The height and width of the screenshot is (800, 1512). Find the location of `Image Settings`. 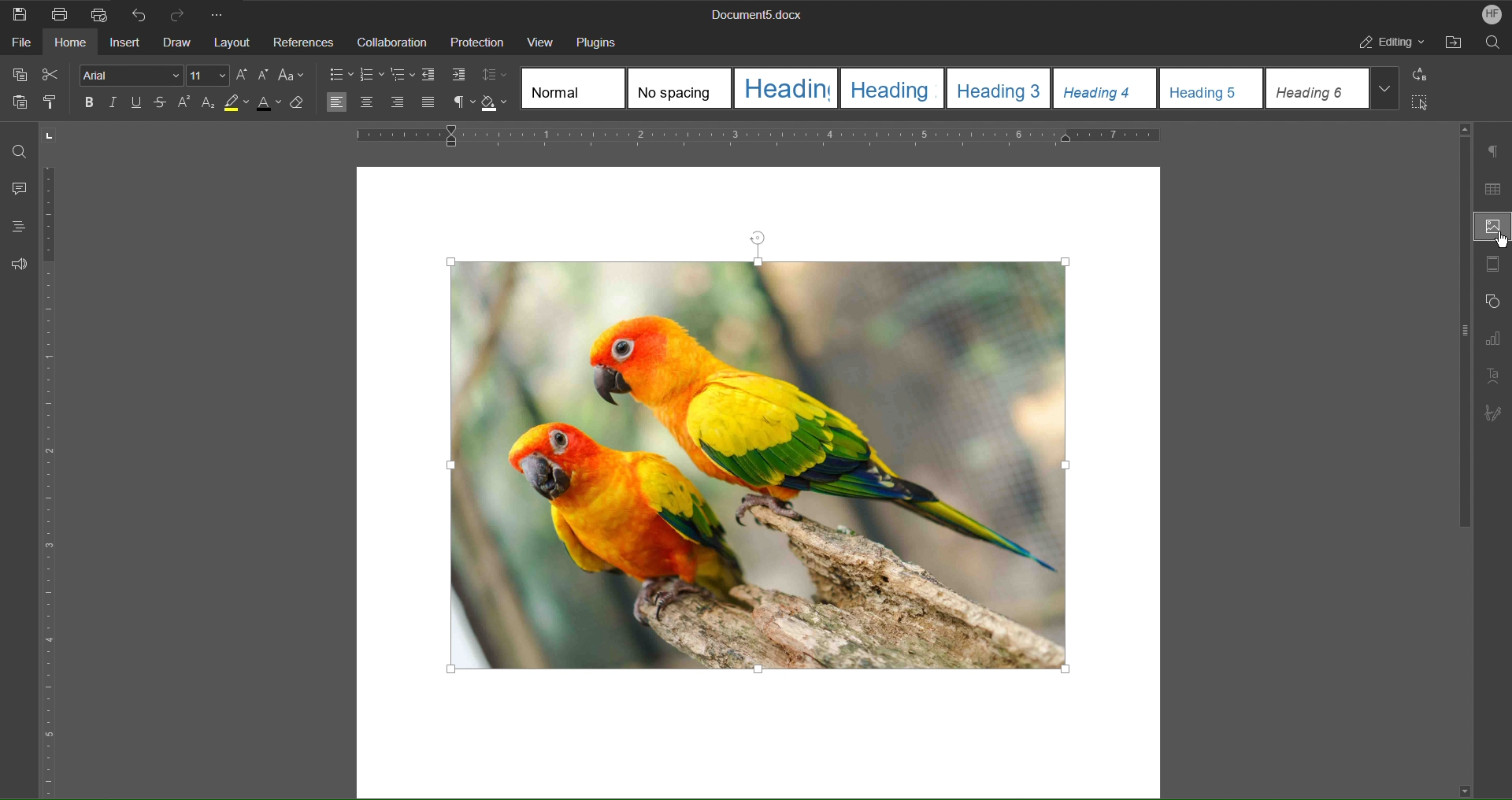

Image Settings is located at coordinates (1489, 228).